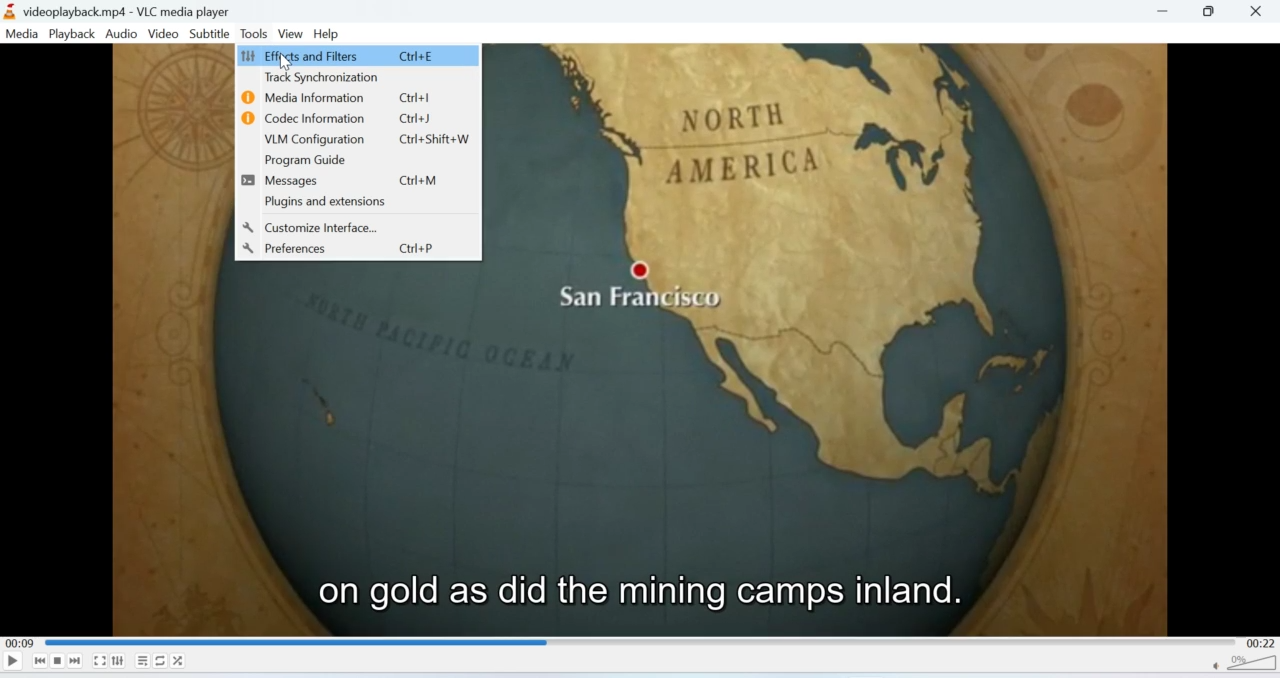 Image resolution: width=1280 pixels, height=678 pixels. I want to click on Video, so click(161, 34).